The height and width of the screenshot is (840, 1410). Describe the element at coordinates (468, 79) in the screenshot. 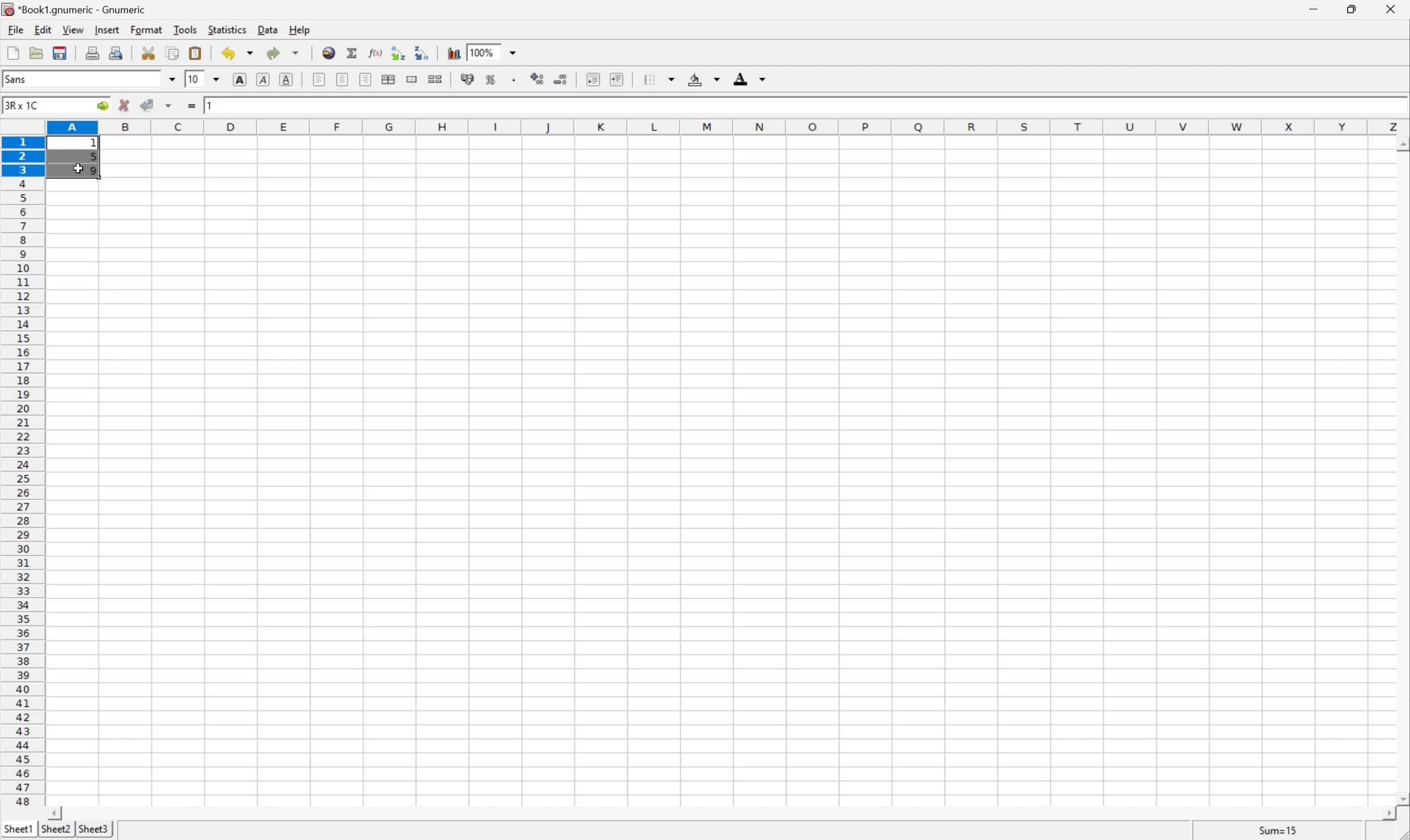

I see `format selection as accounting` at that location.